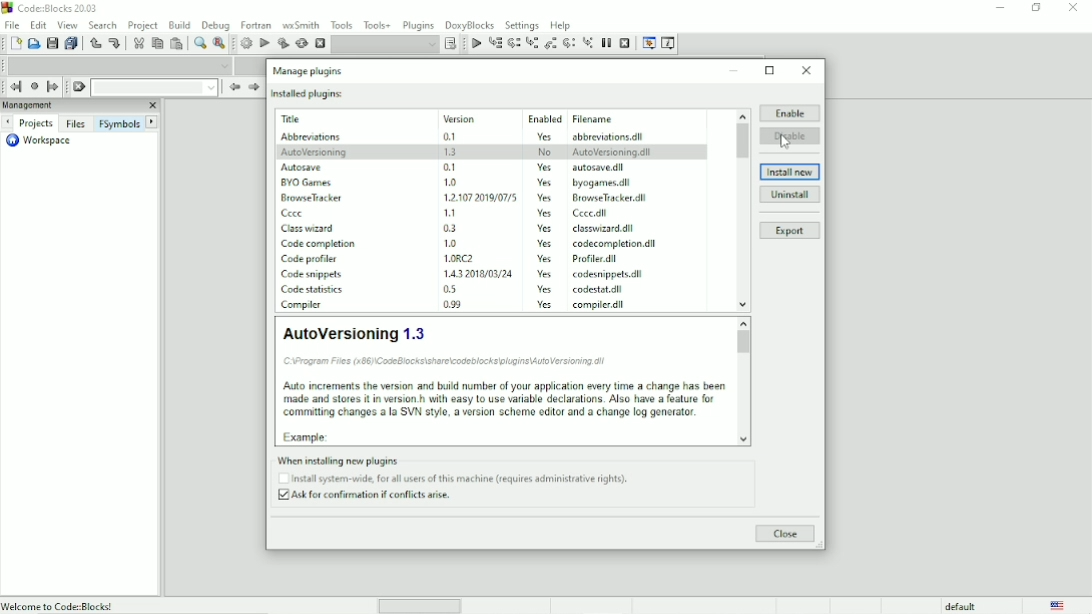 This screenshot has width=1092, height=614. I want to click on Compiler, so click(304, 306).